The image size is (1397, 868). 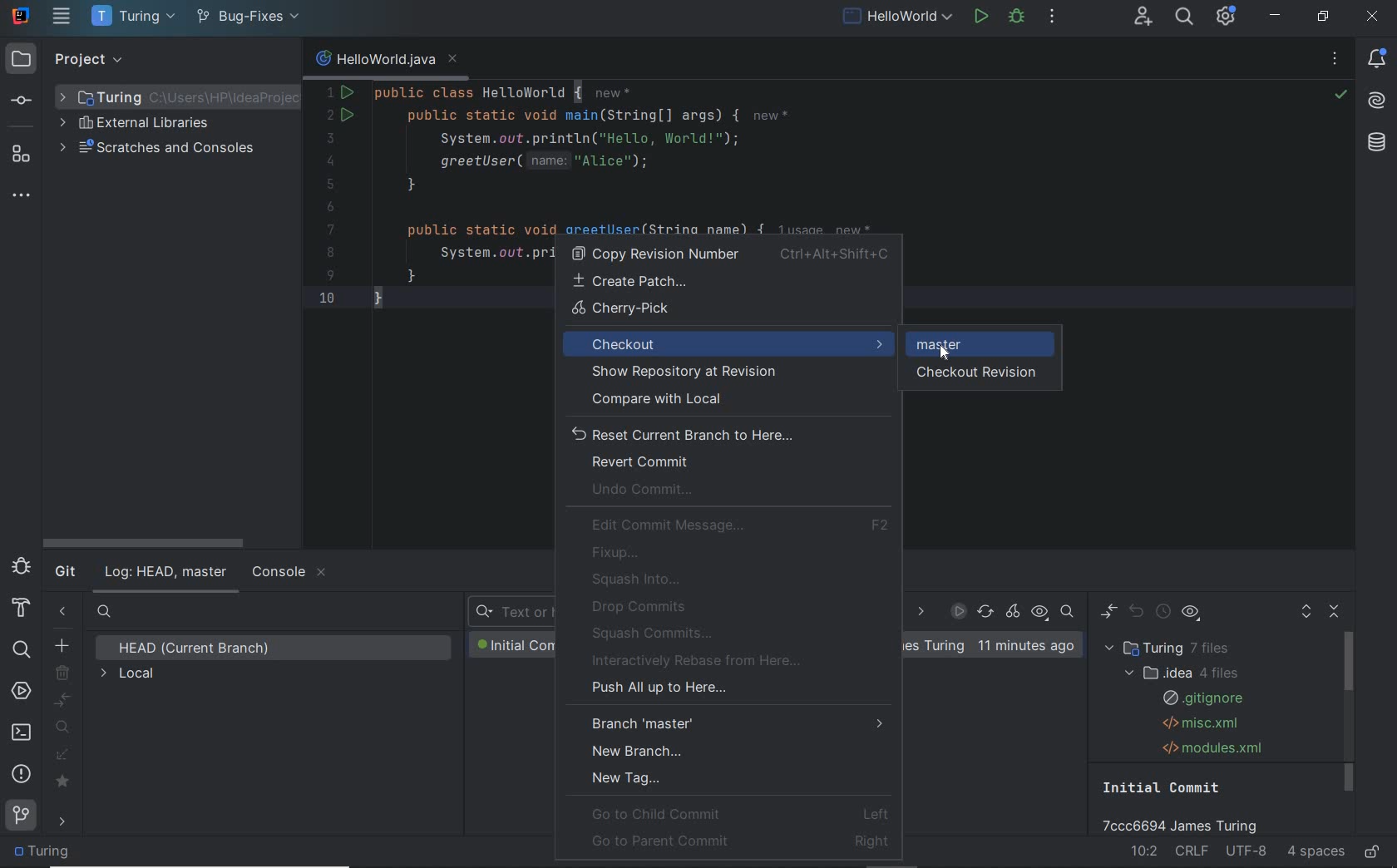 What do you see at coordinates (1163, 614) in the screenshot?
I see `history up to here` at bounding box center [1163, 614].